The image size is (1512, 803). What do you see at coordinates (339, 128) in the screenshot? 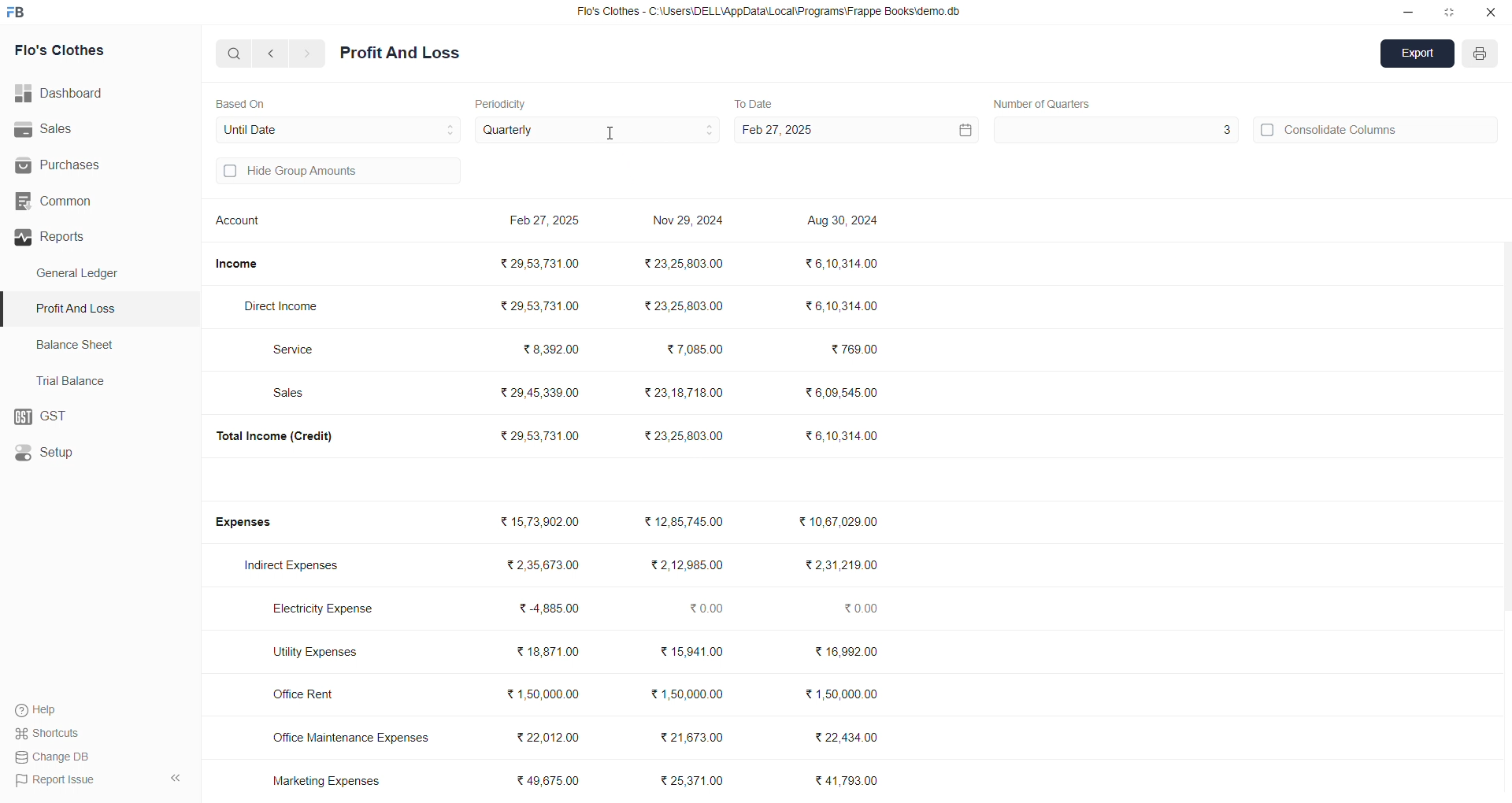
I see `Until Date` at bounding box center [339, 128].